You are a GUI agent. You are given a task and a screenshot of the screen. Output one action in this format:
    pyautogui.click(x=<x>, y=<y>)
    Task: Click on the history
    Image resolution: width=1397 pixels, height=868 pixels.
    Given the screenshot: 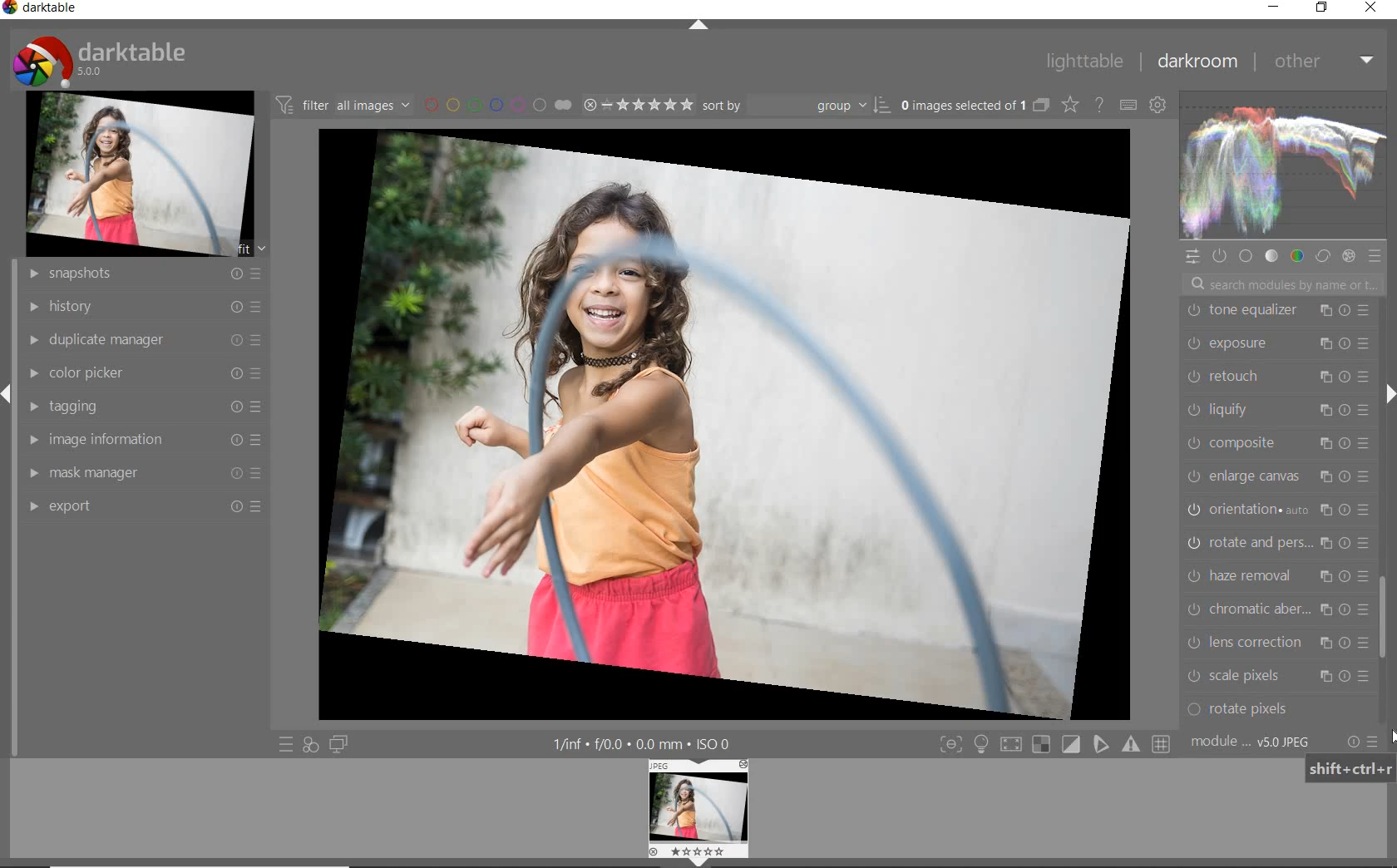 What is the action you would take?
    pyautogui.click(x=146, y=306)
    